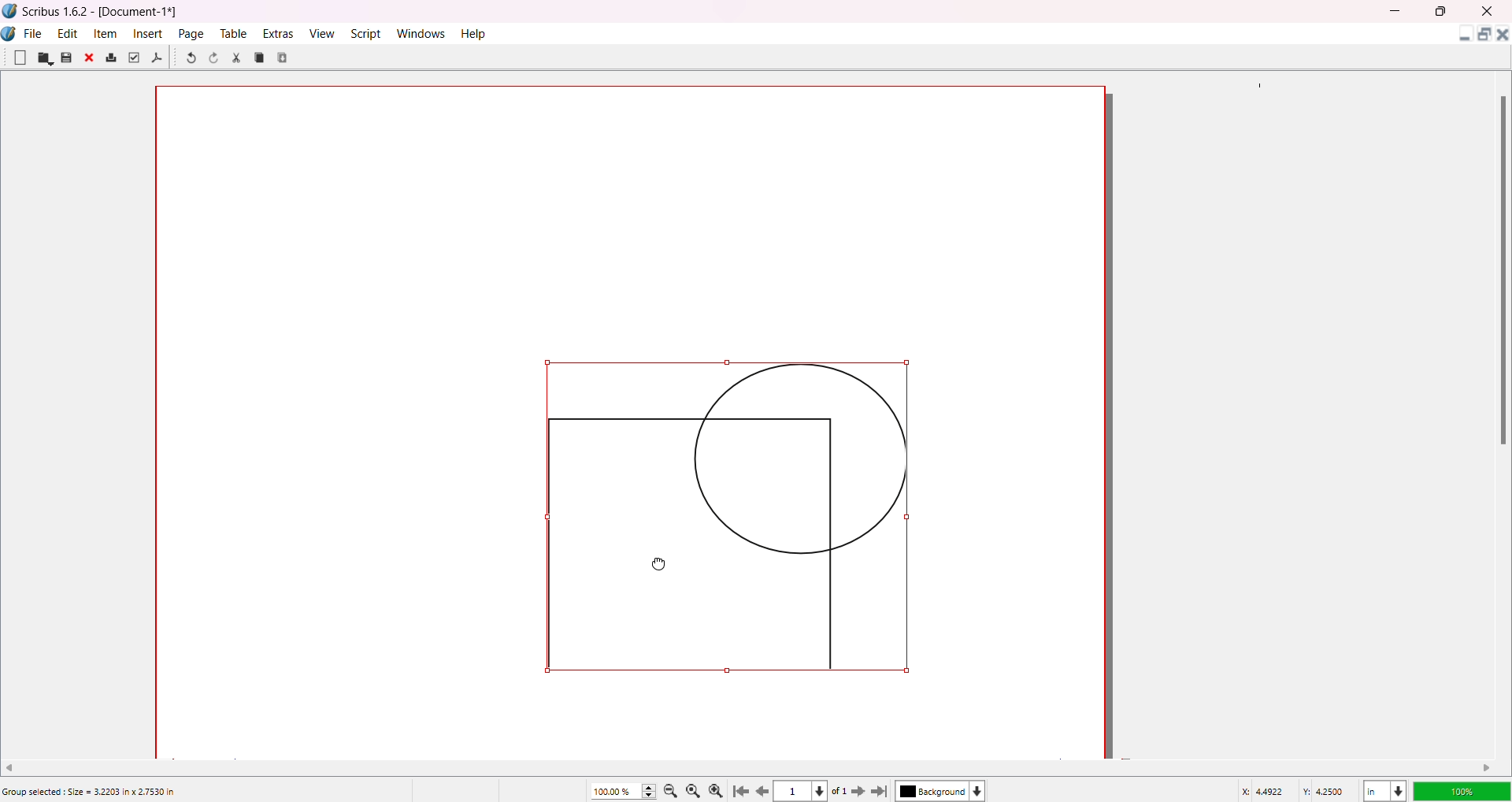  I want to click on Close, so click(91, 59).